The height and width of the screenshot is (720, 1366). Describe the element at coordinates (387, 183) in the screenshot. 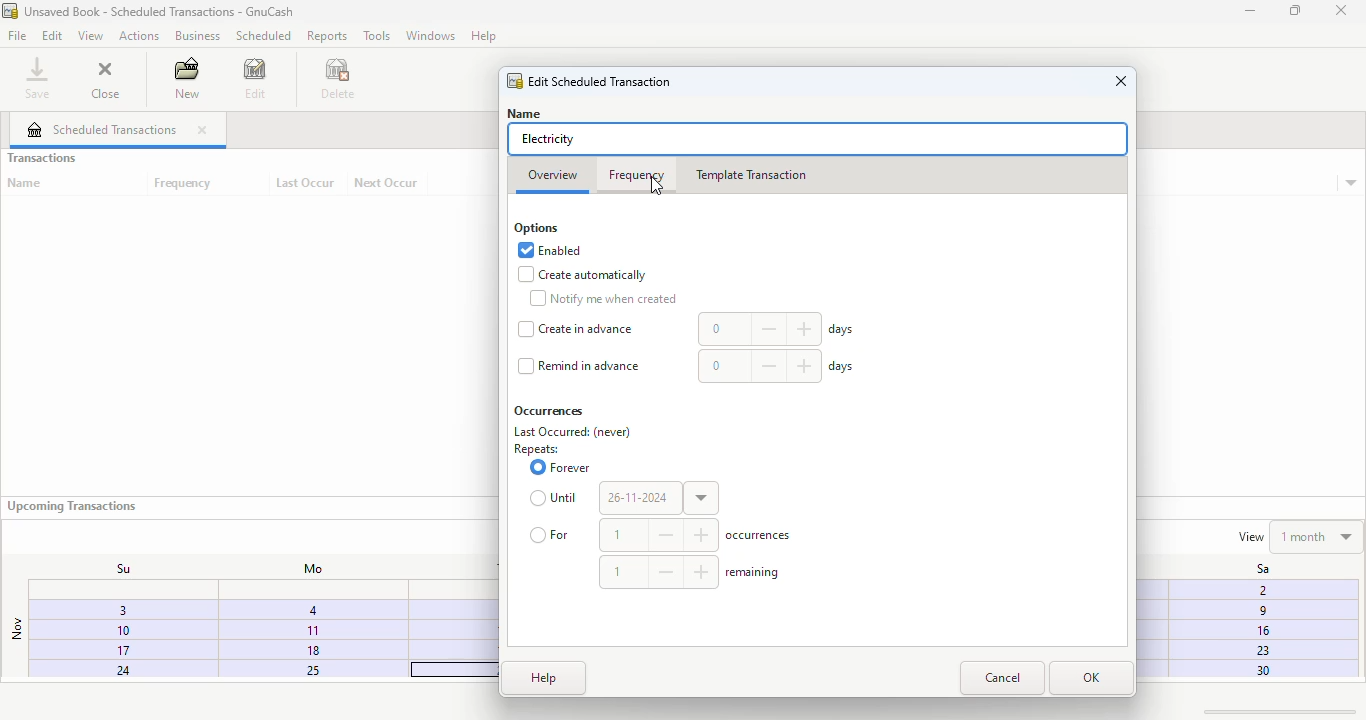

I see `next occur` at that location.